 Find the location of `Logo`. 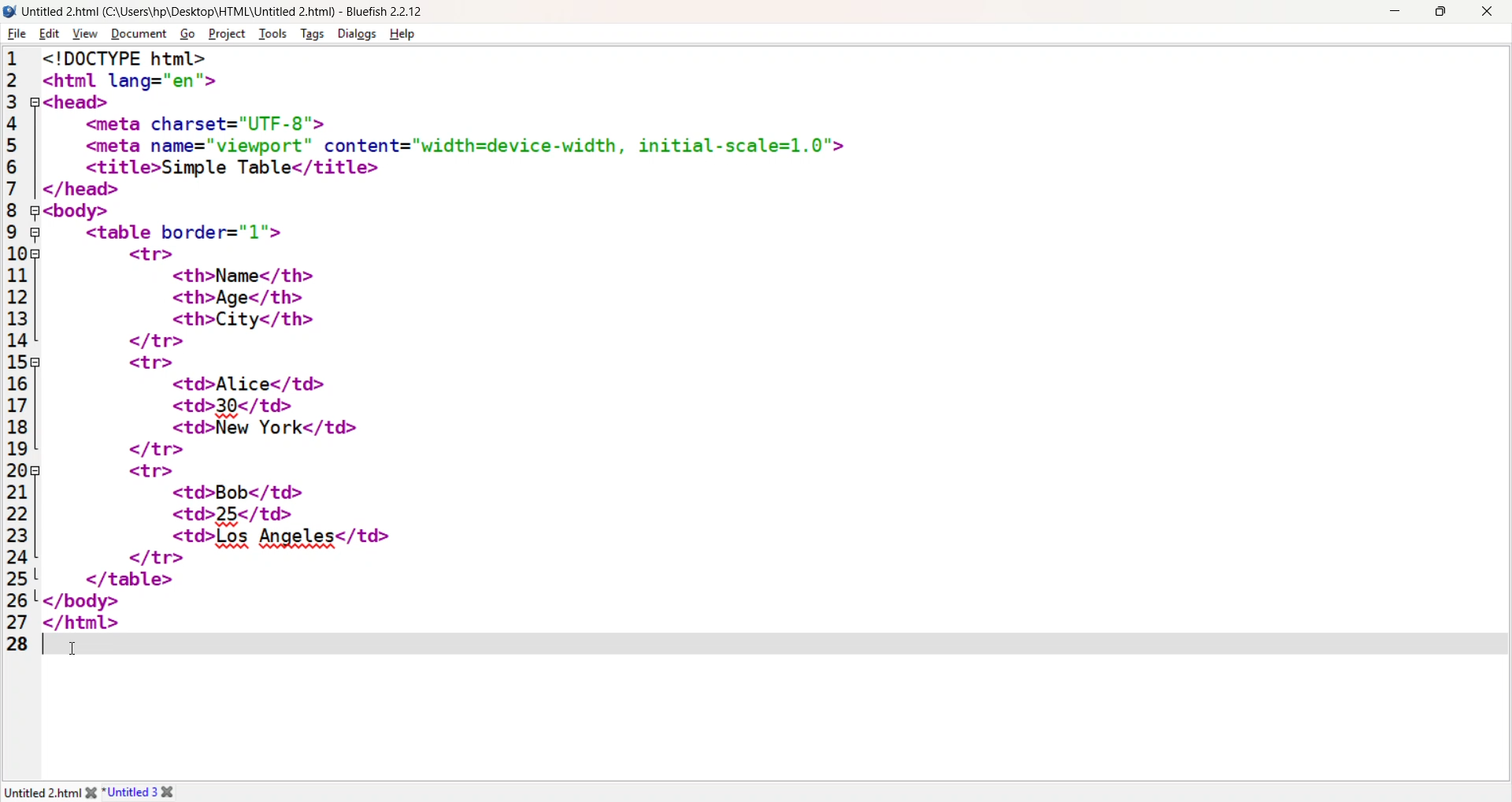

Logo is located at coordinates (10, 12).